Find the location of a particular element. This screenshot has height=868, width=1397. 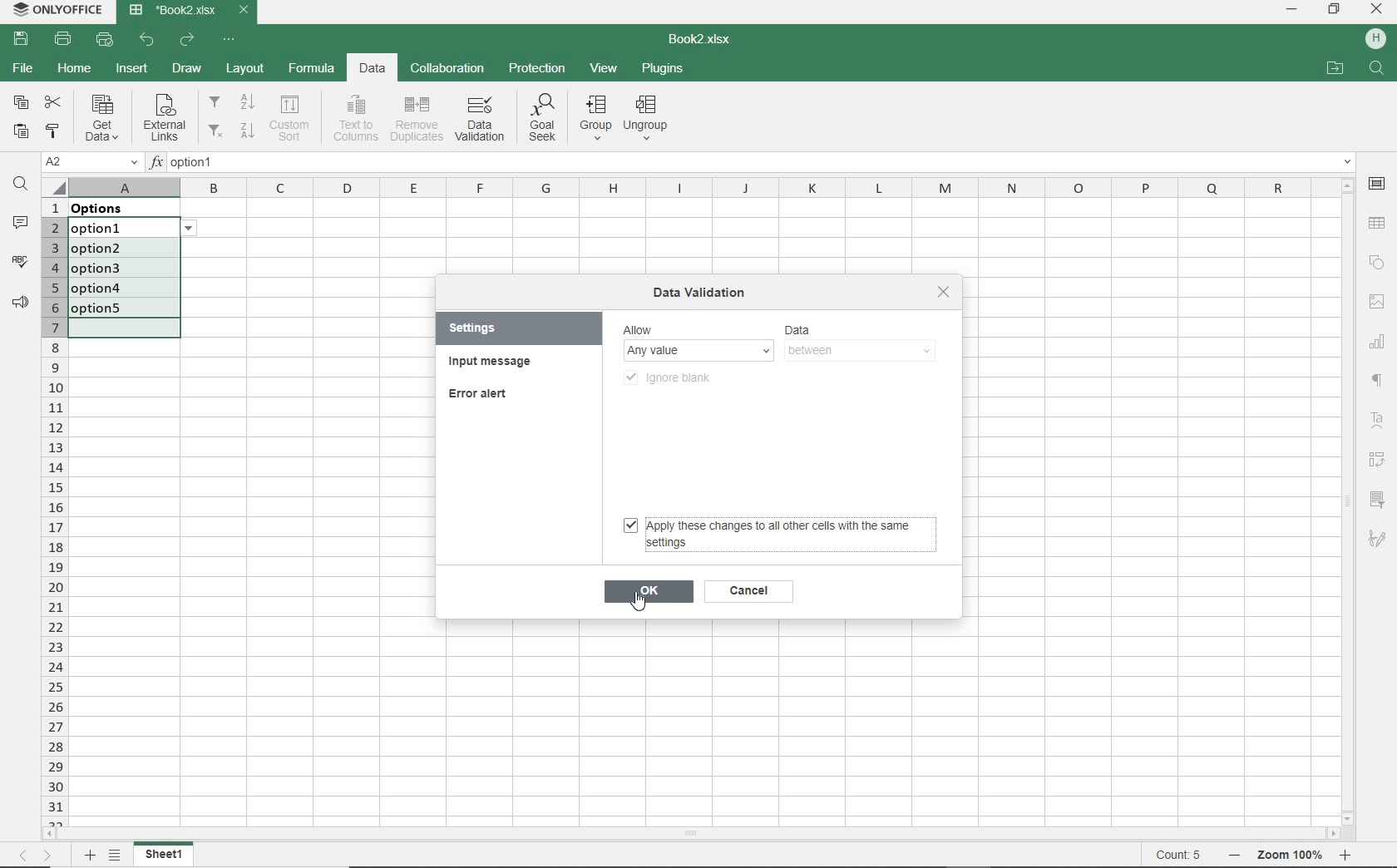

RESTORE DOWN is located at coordinates (1335, 11).